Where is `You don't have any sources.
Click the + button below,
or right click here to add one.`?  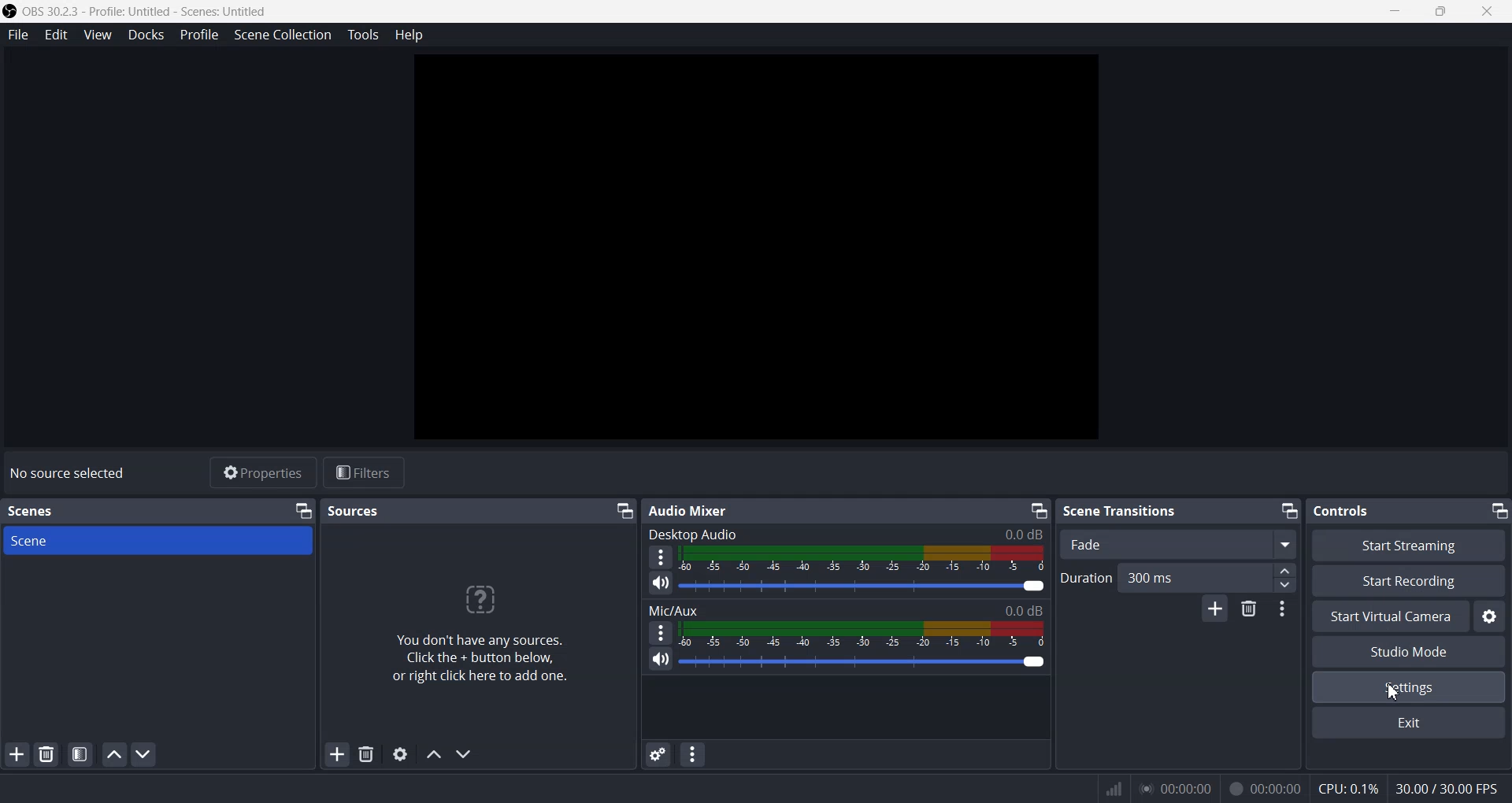 You don't have any sources.
Click the + button below,
or right click here to add one. is located at coordinates (472, 639).